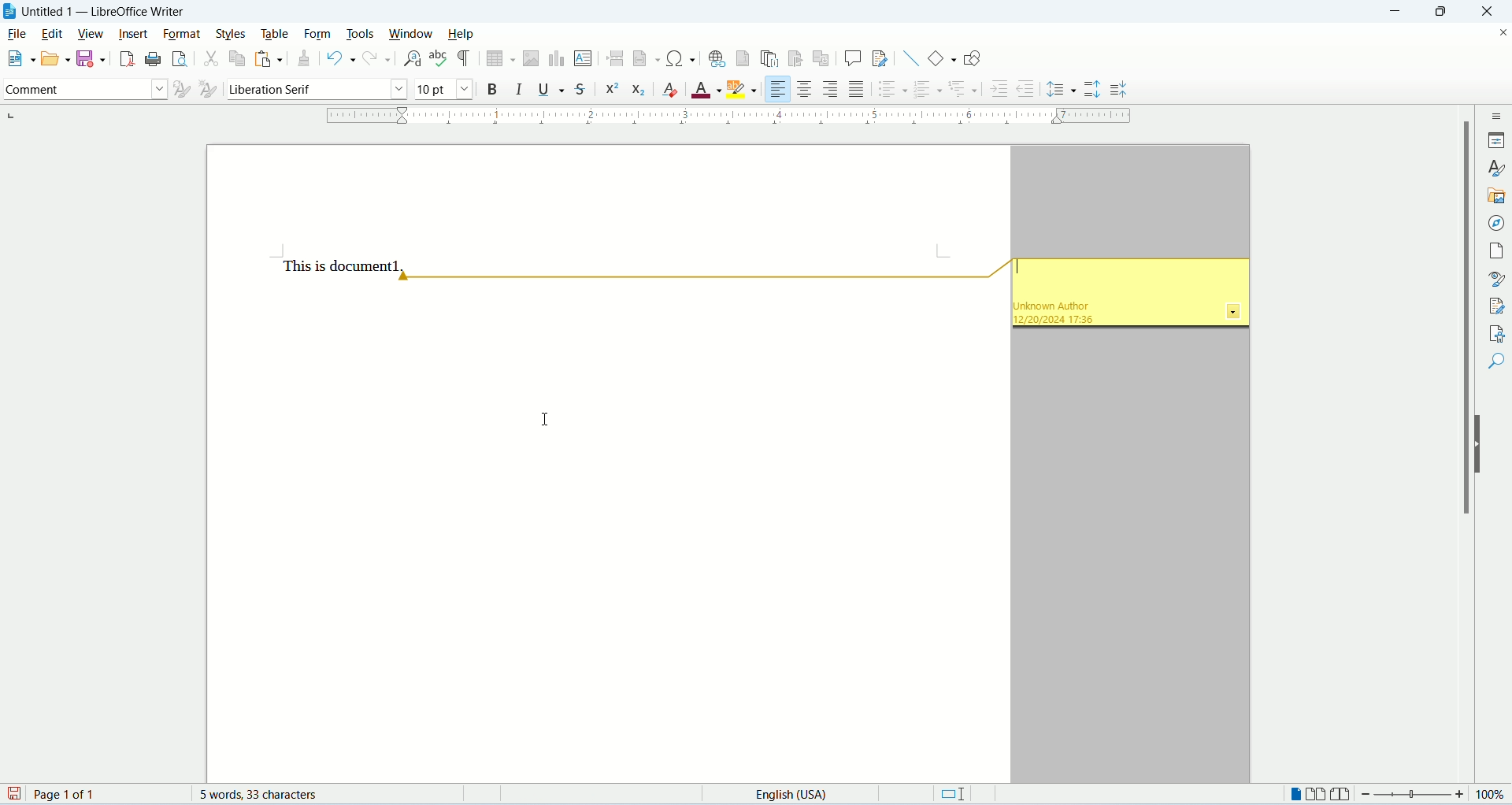  What do you see at coordinates (132, 34) in the screenshot?
I see `insert` at bounding box center [132, 34].